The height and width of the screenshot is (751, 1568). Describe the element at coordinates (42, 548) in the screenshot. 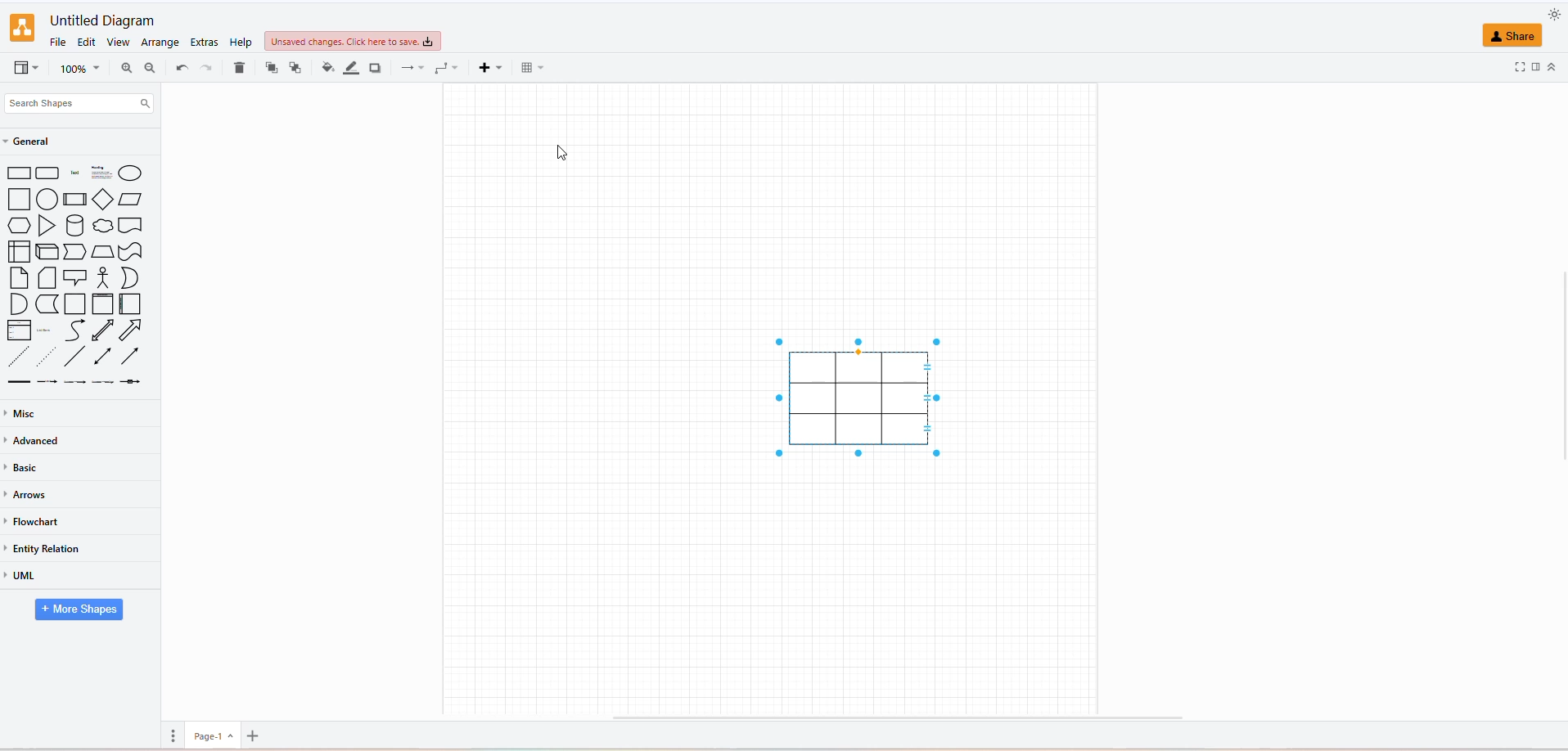

I see `entity relation` at that location.